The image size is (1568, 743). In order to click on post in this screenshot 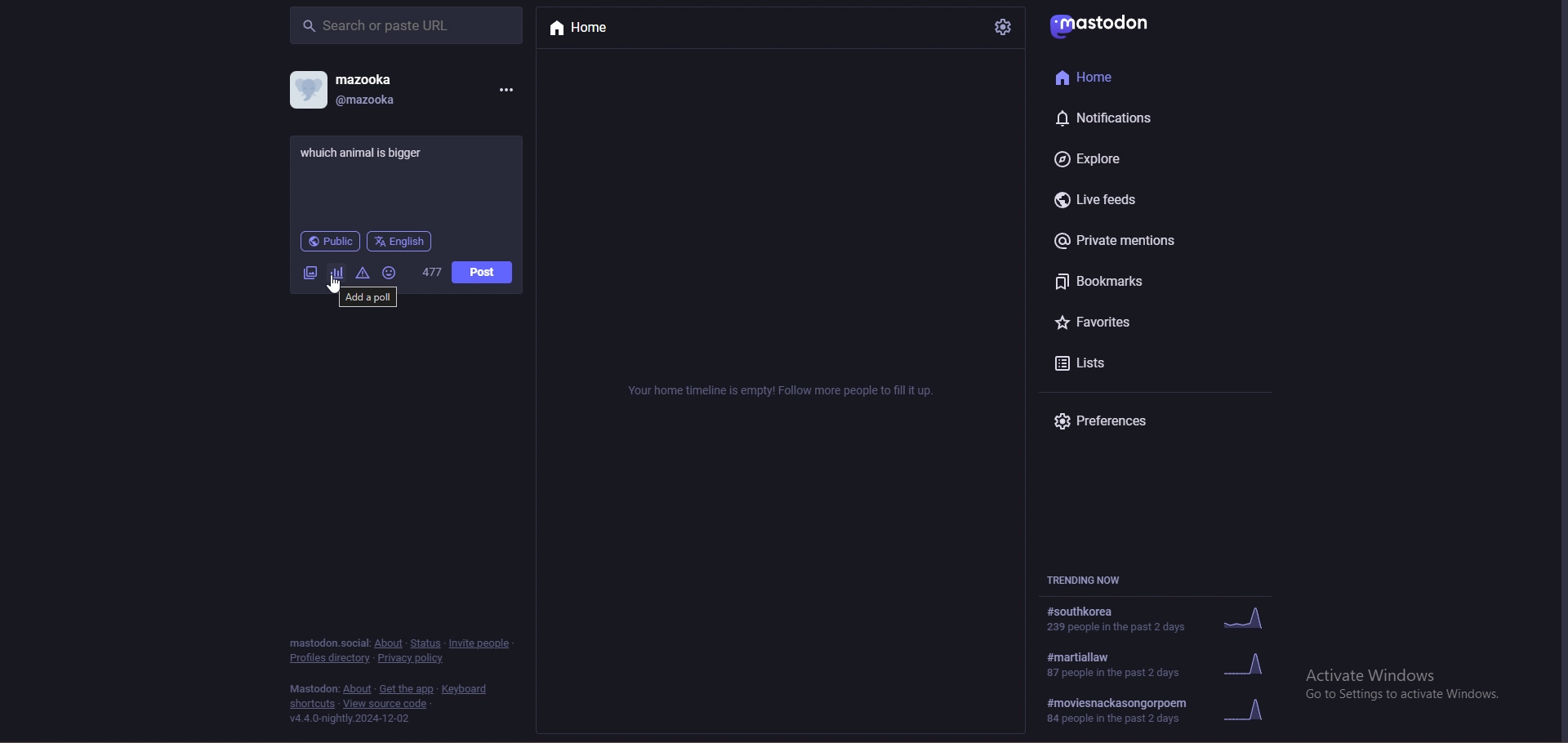, I will do `click(370, 151)`.